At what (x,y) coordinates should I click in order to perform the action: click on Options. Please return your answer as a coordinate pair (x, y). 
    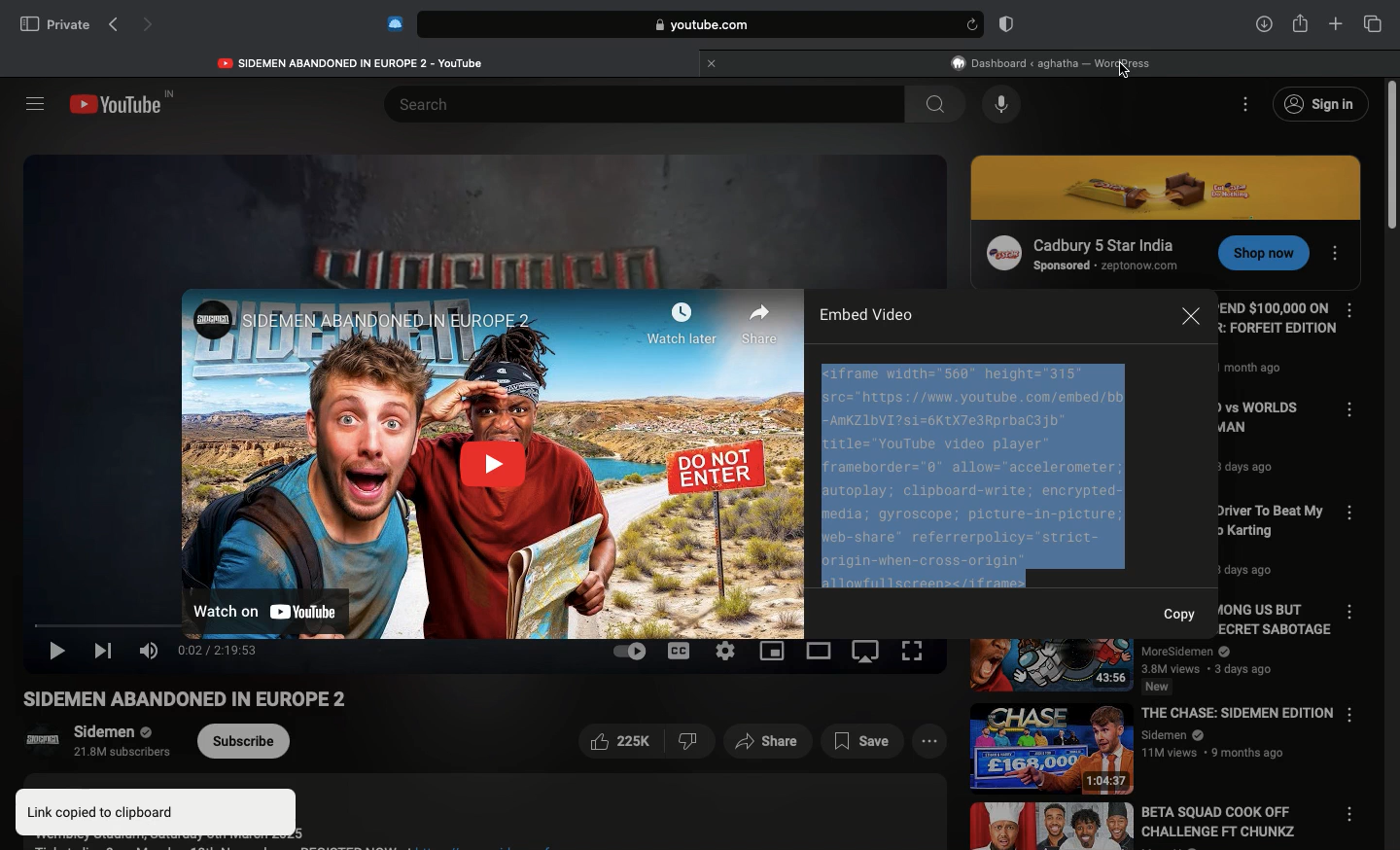
    Looking at the image, I should click on (1247, 103).